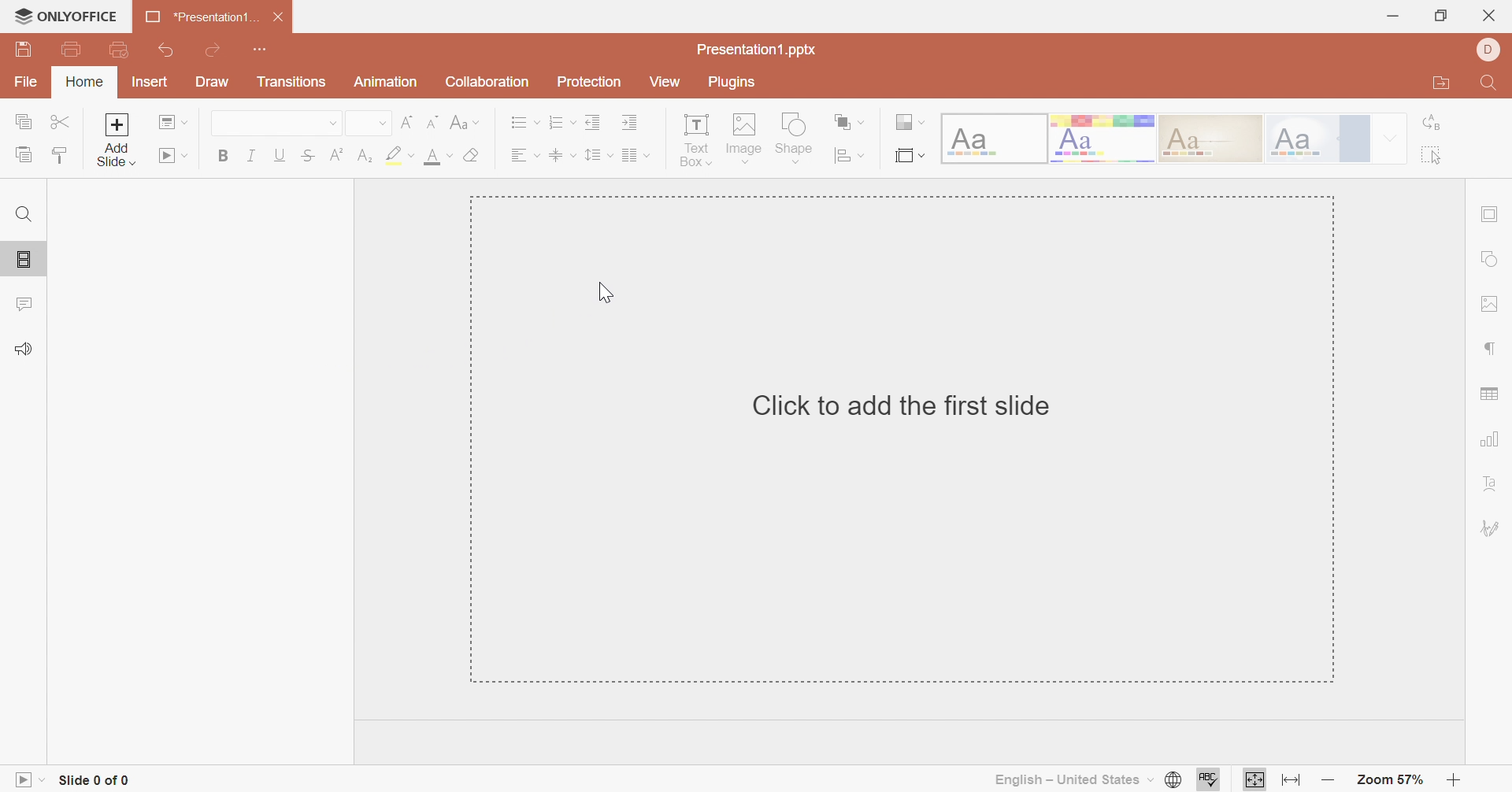 The height and width of the screenshot is (792, 1512). What do you see at coordinates (666, 82) in the screenshot?
I see `View` at bounding box center [666, 82].